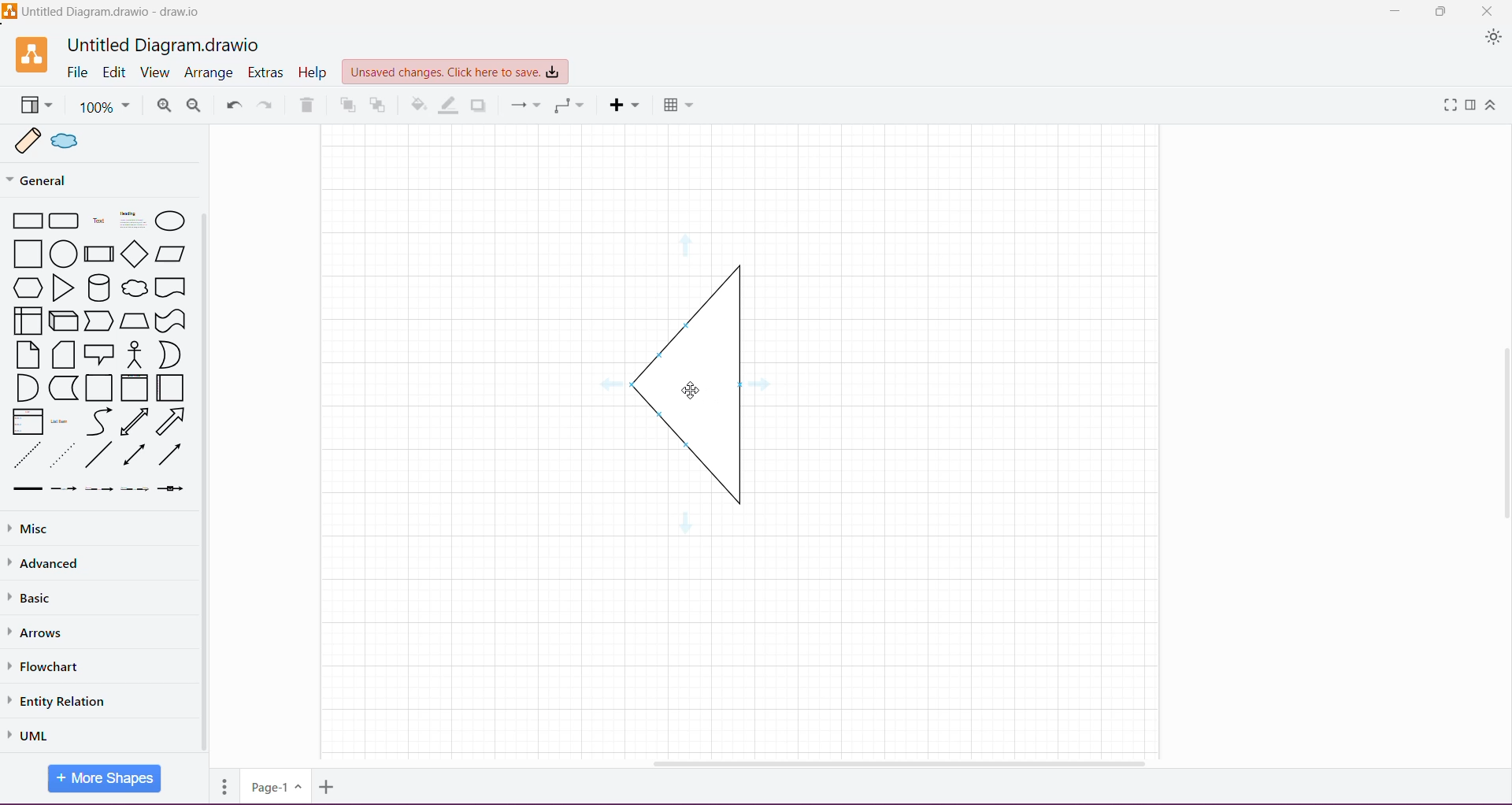 This screenshot has width=1512, height=805. Describe the element at coordinates (1443, 11) in the screenshot. I see `Restore Down` at that location.